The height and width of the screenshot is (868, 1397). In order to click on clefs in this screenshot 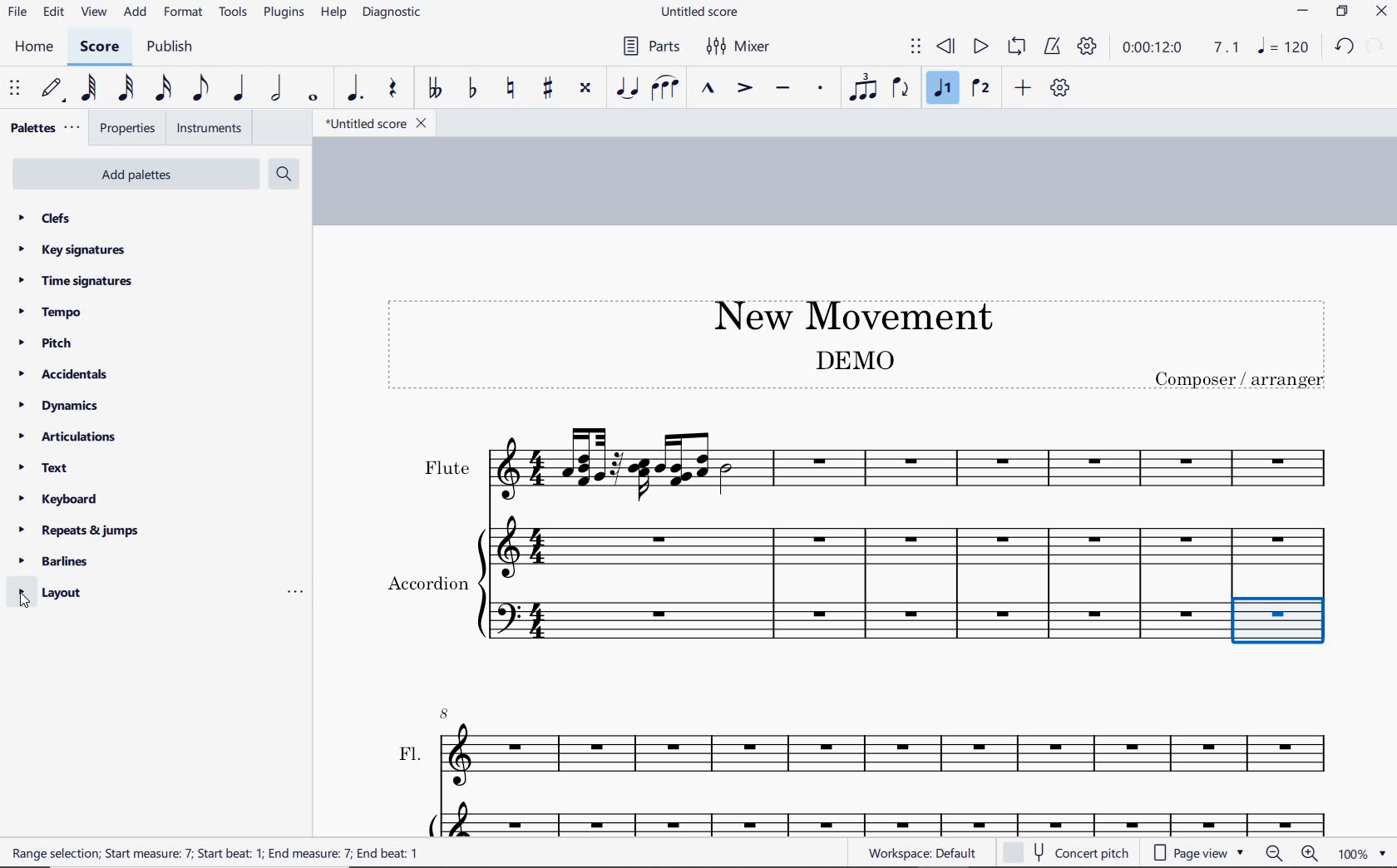, I will do `click(46, 218)`.